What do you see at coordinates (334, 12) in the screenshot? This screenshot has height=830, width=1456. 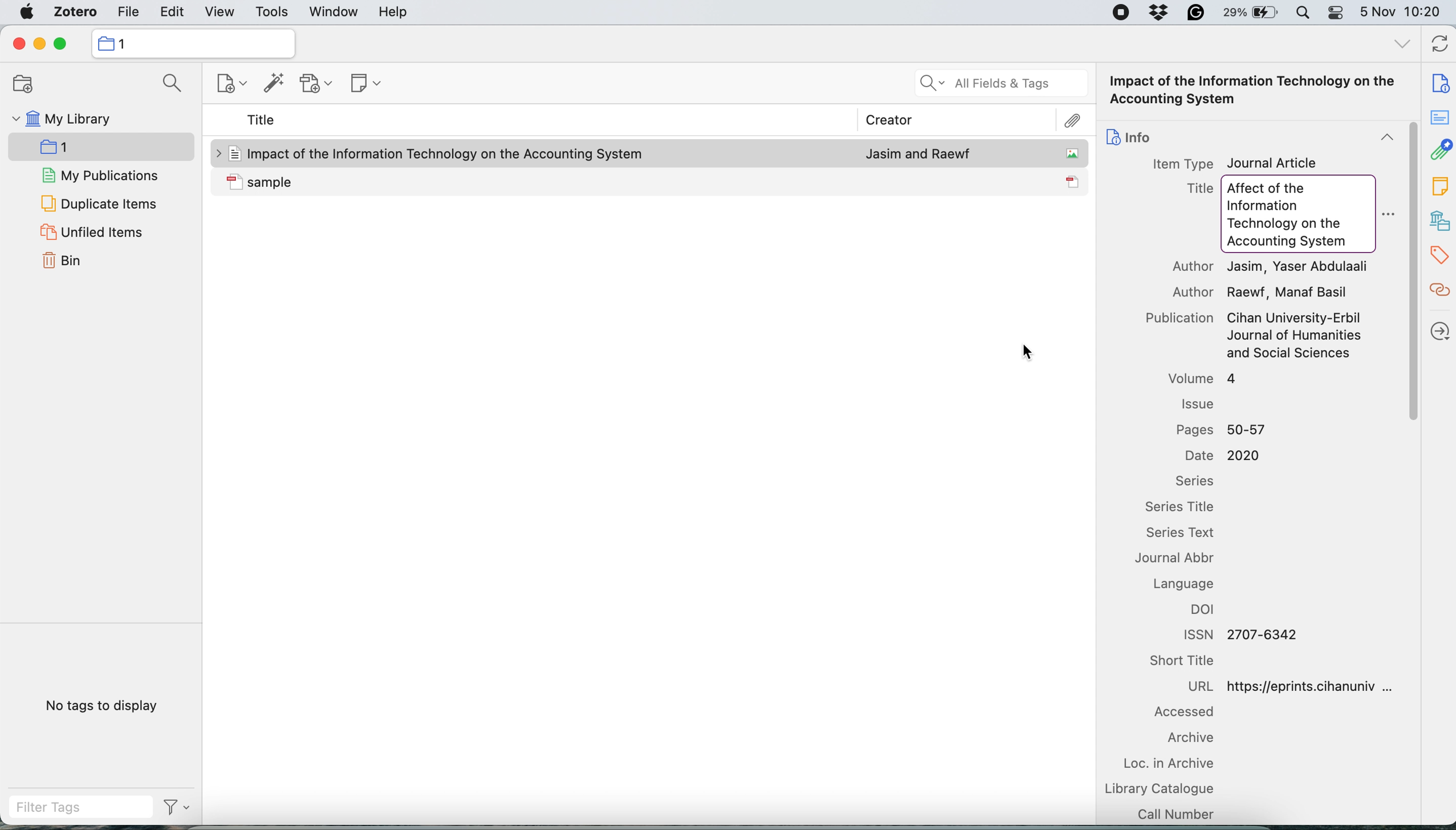 I see `window` at bounding box center [334, 12].